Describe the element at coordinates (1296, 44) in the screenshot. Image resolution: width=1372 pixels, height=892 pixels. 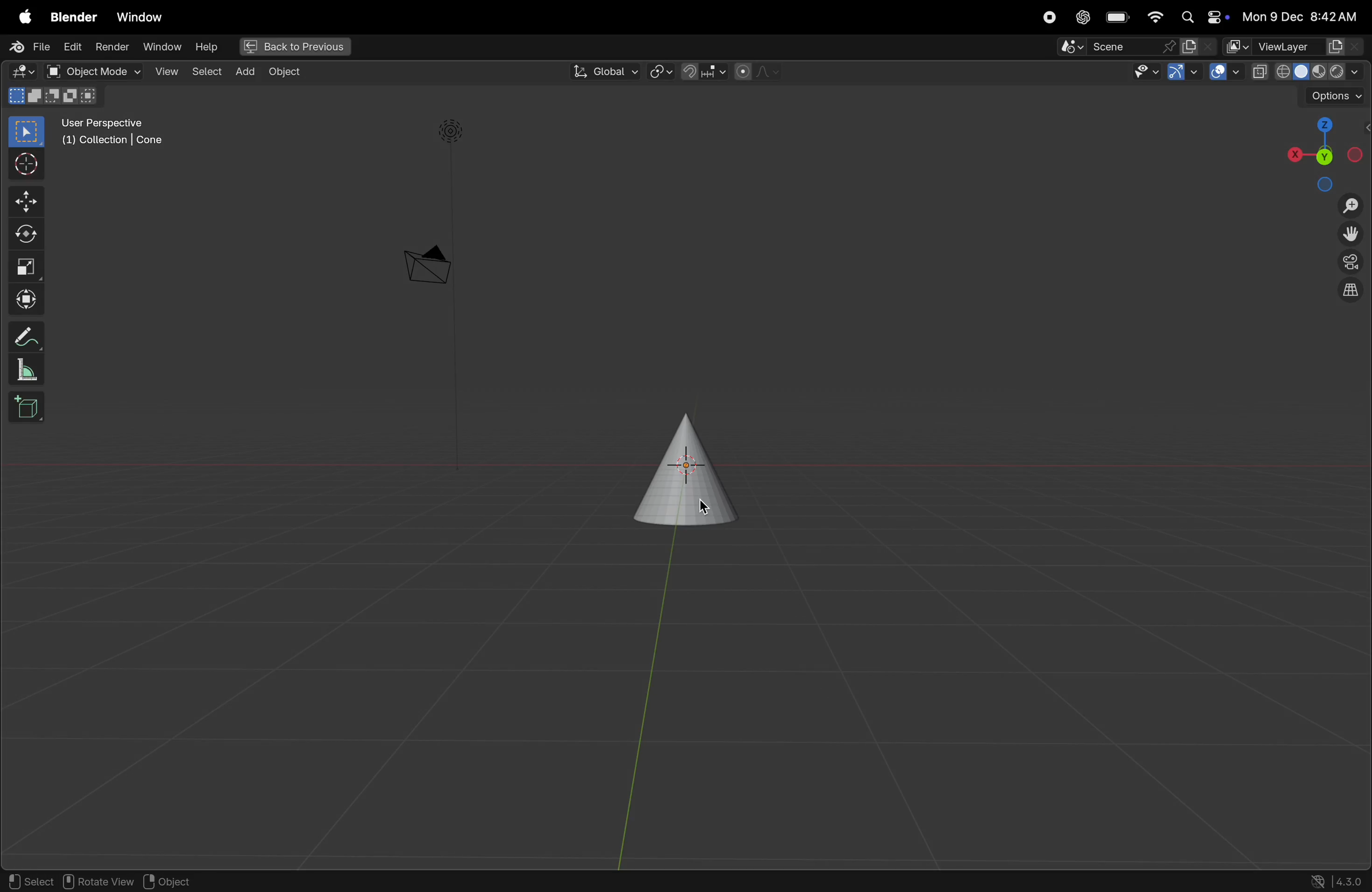
I see `view layer` at that location.